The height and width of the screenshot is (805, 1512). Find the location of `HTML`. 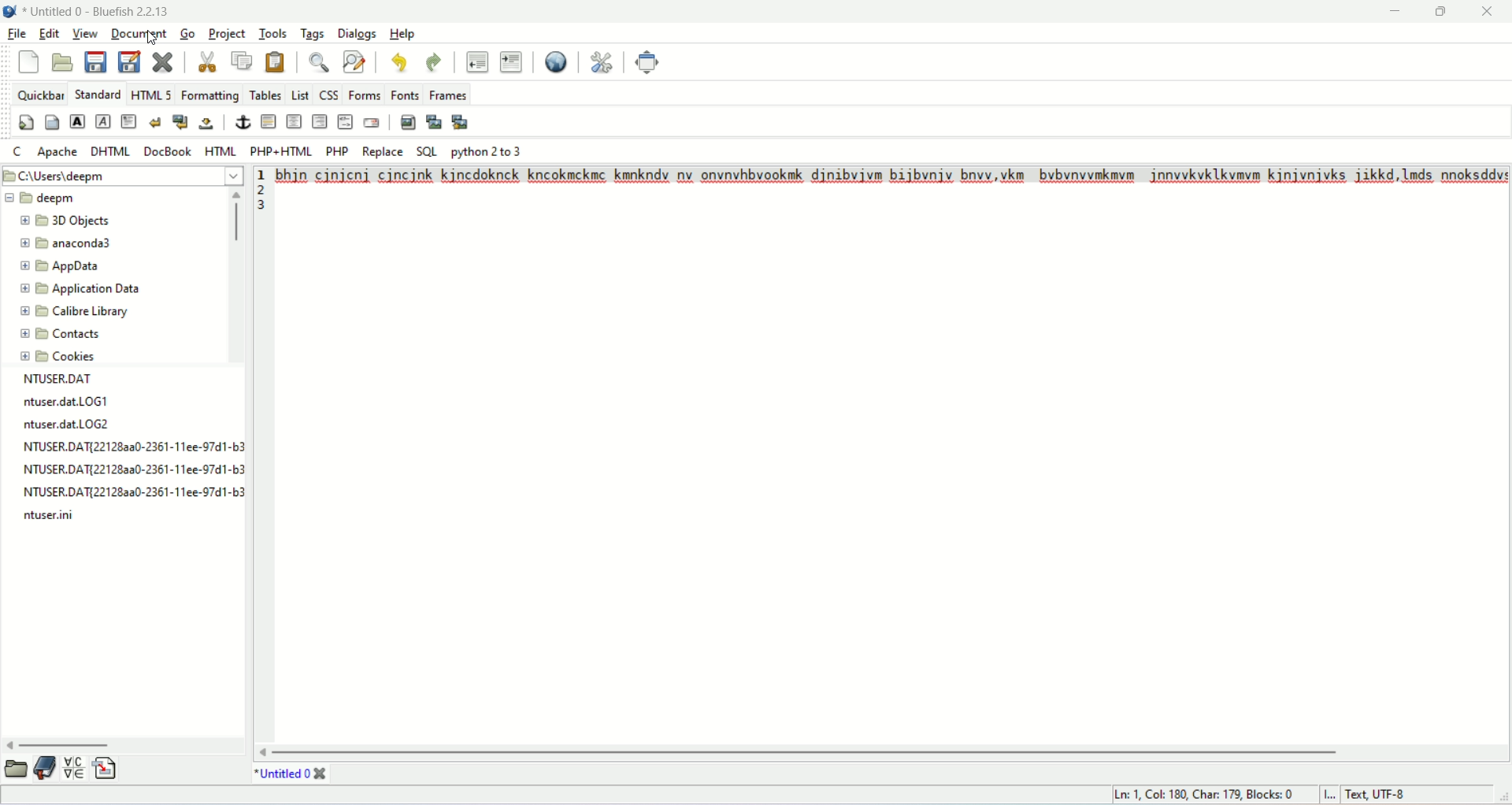

HTML is located at coordinates (220, 152).